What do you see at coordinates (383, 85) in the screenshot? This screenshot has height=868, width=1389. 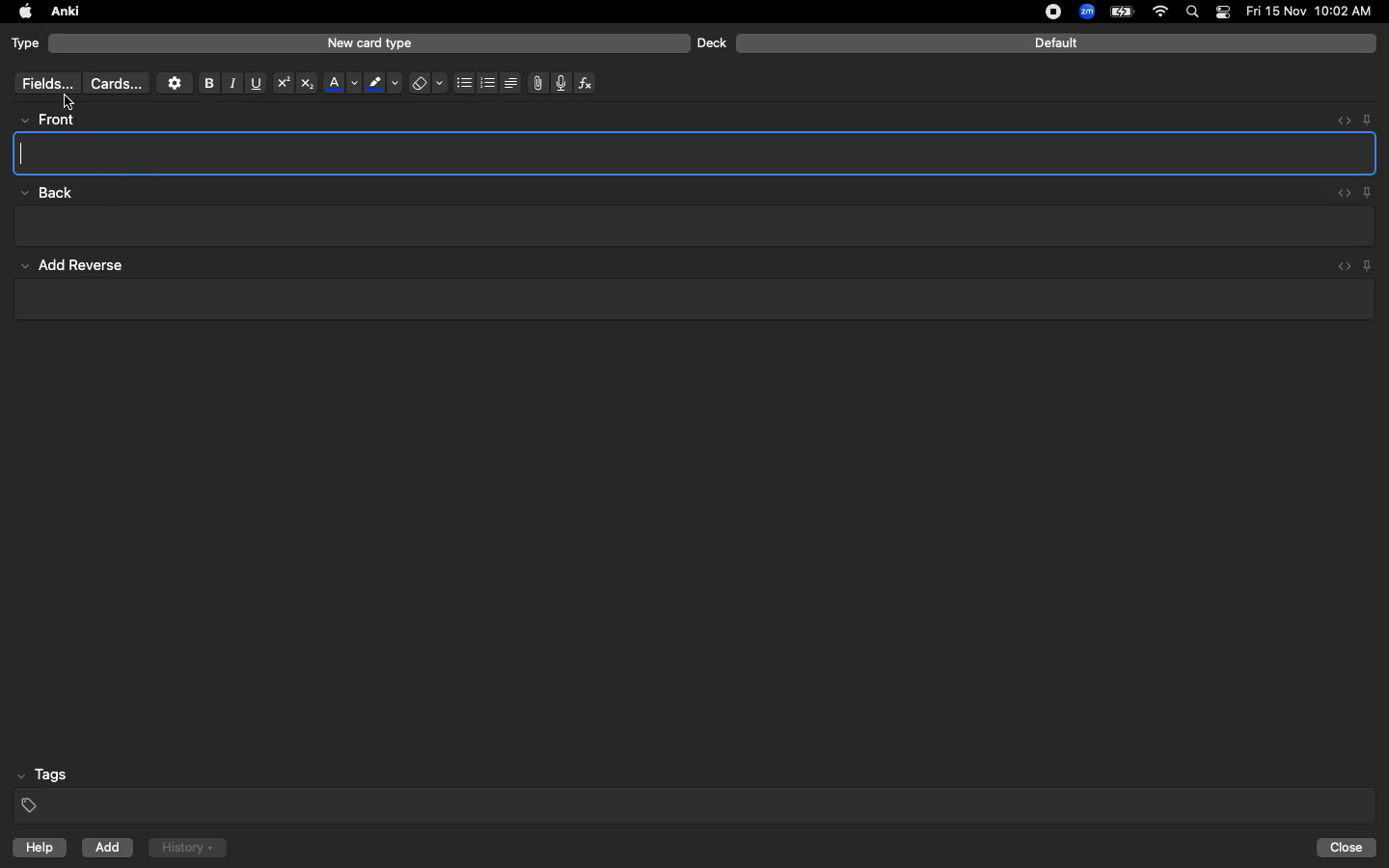 I see `Marker` at bounding box center [383, 85].